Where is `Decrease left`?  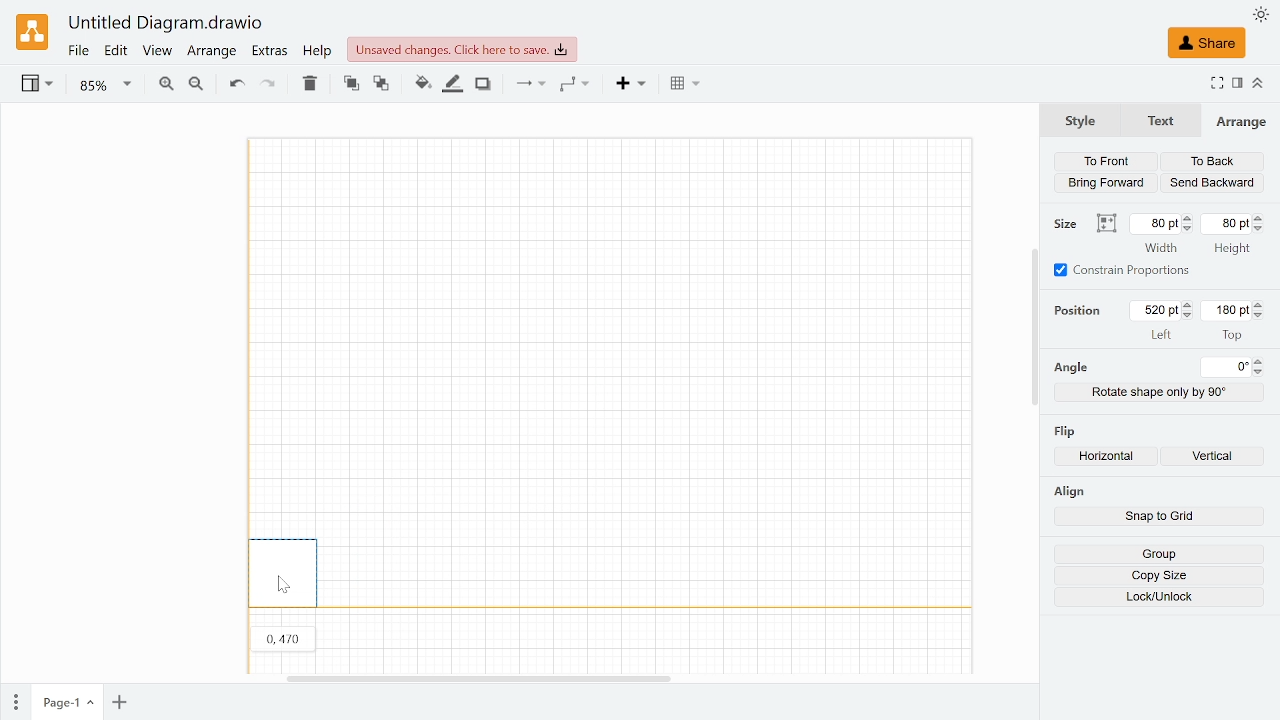
Decrease left is located at coordinates (1190, 316).